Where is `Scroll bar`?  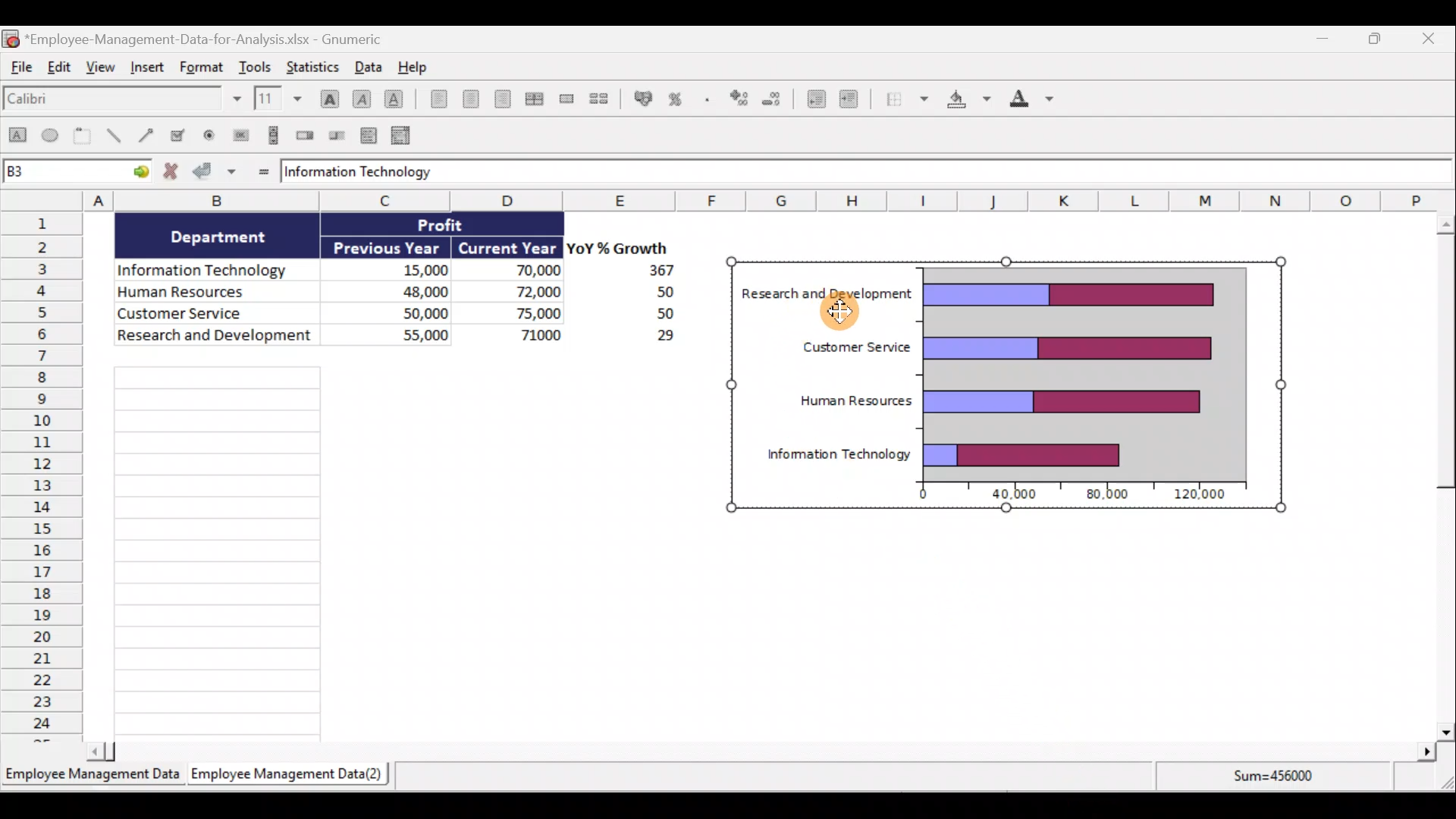
Scroll bar is located at coordinates (1438, 476).